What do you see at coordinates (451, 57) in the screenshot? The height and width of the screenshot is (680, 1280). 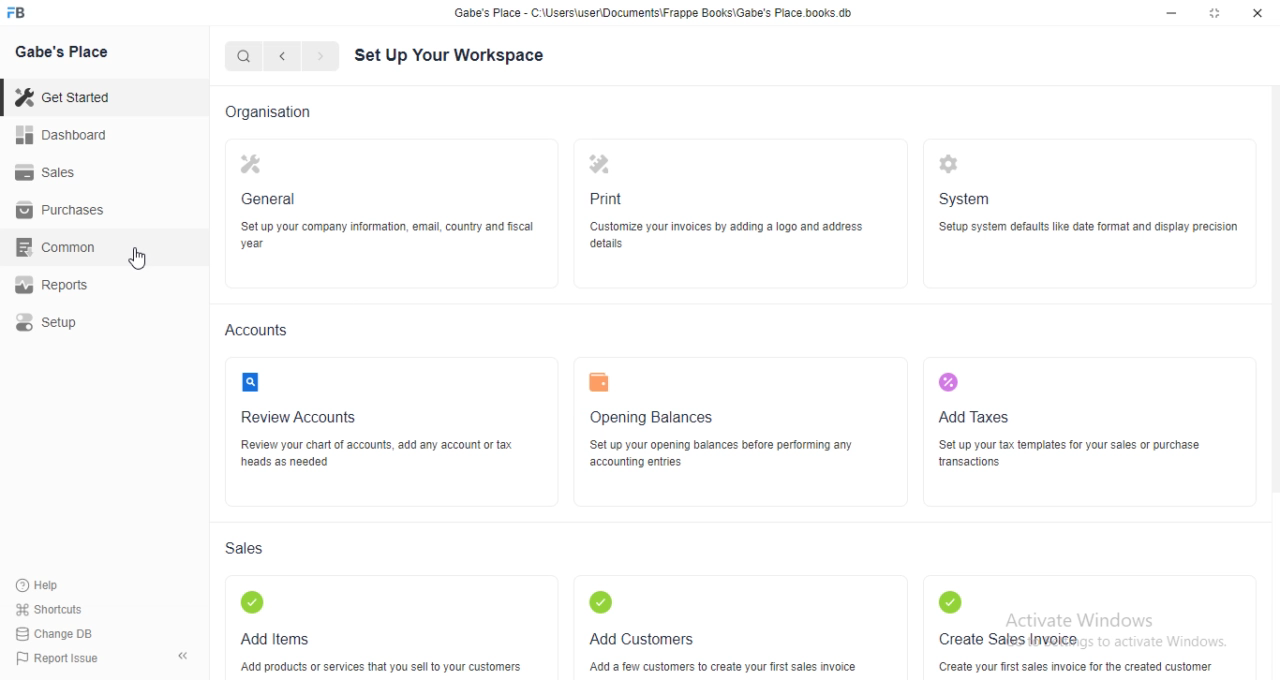 I see `Set Up Your Workspace` at bounding box center [451, 57].